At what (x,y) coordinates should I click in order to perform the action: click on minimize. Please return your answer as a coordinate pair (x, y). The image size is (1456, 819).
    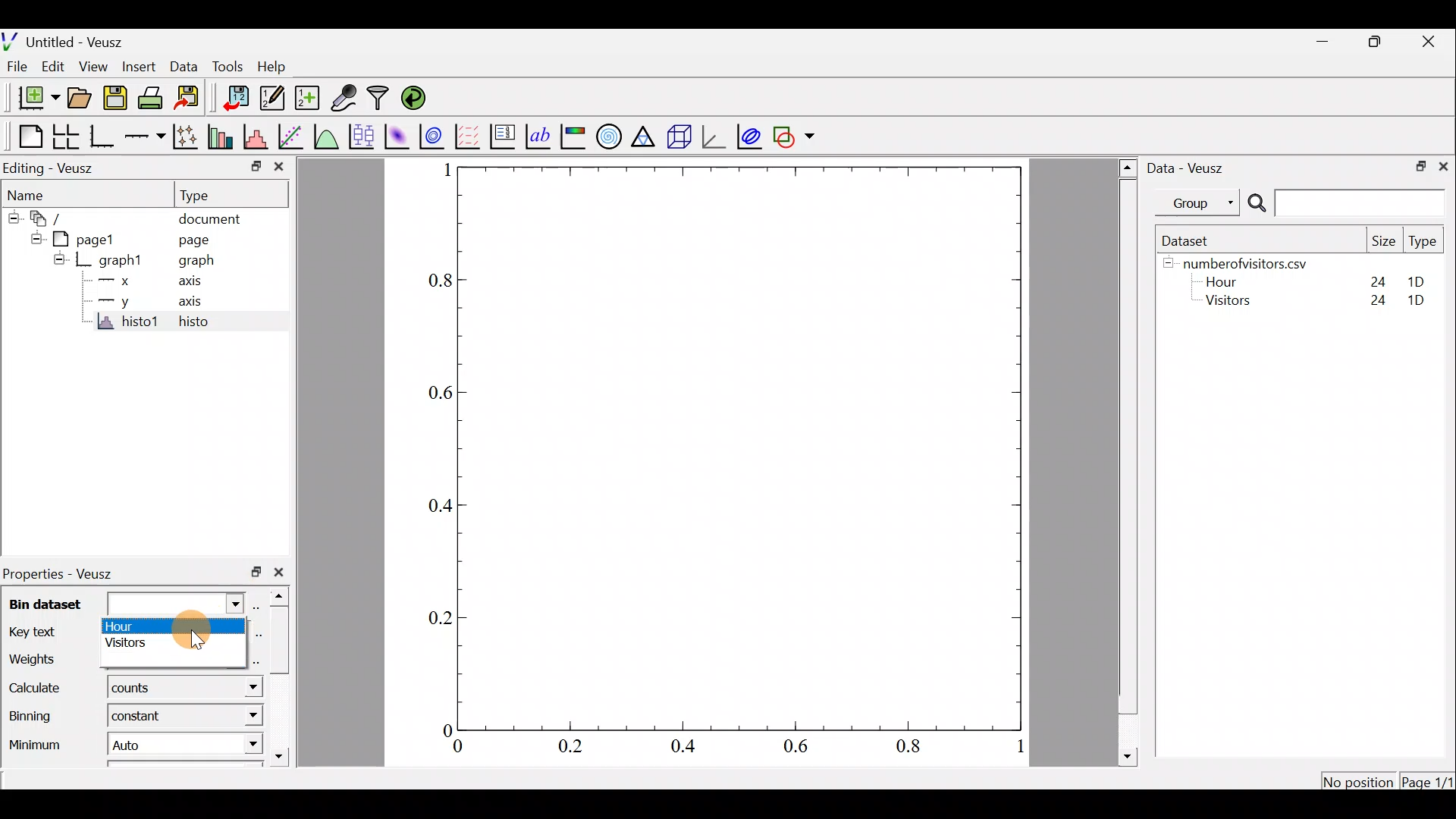
    Looking at the image, I should click on (1323, 43).